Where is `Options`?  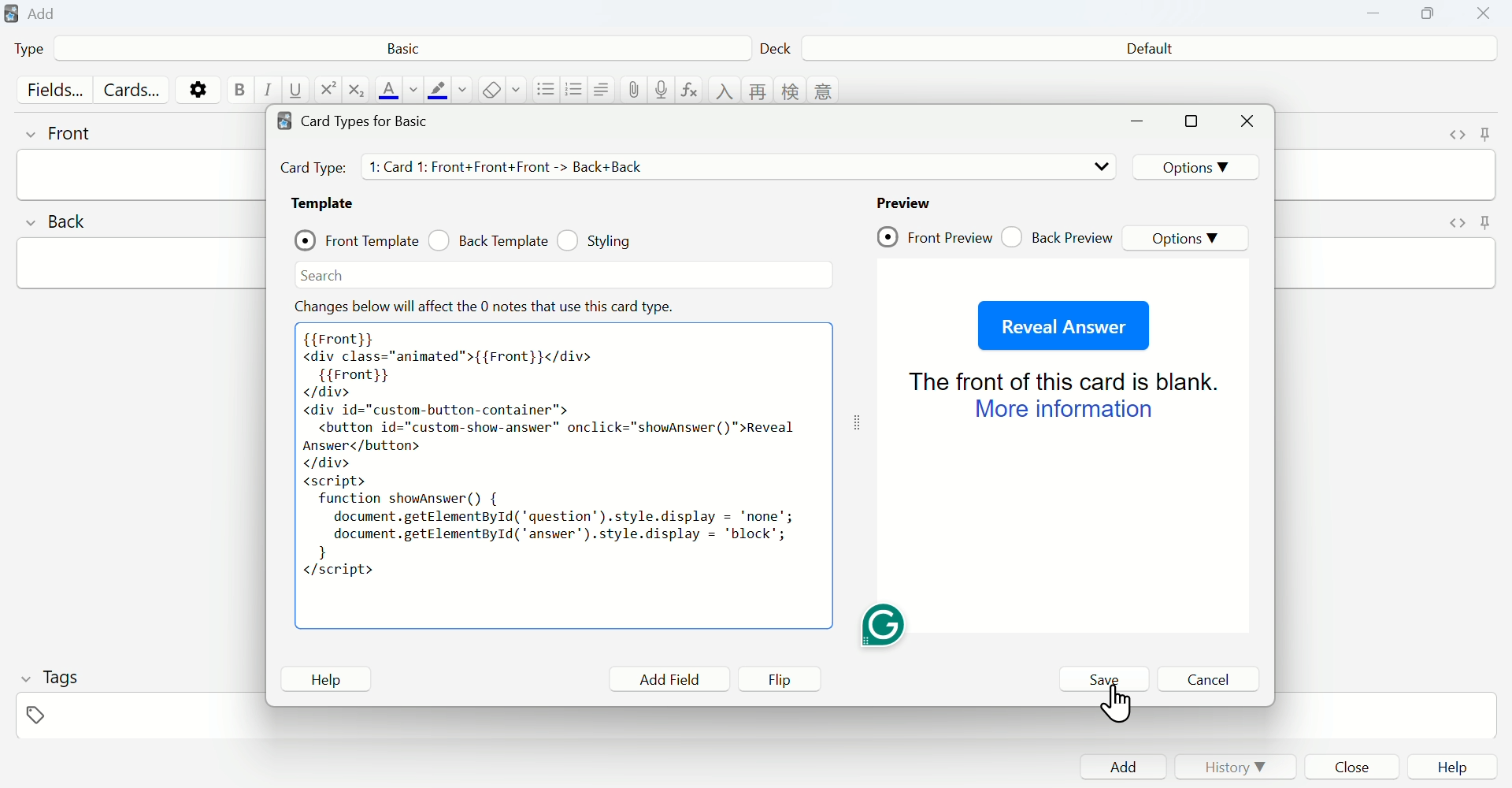 Options is located at coordinates (1198, 167).